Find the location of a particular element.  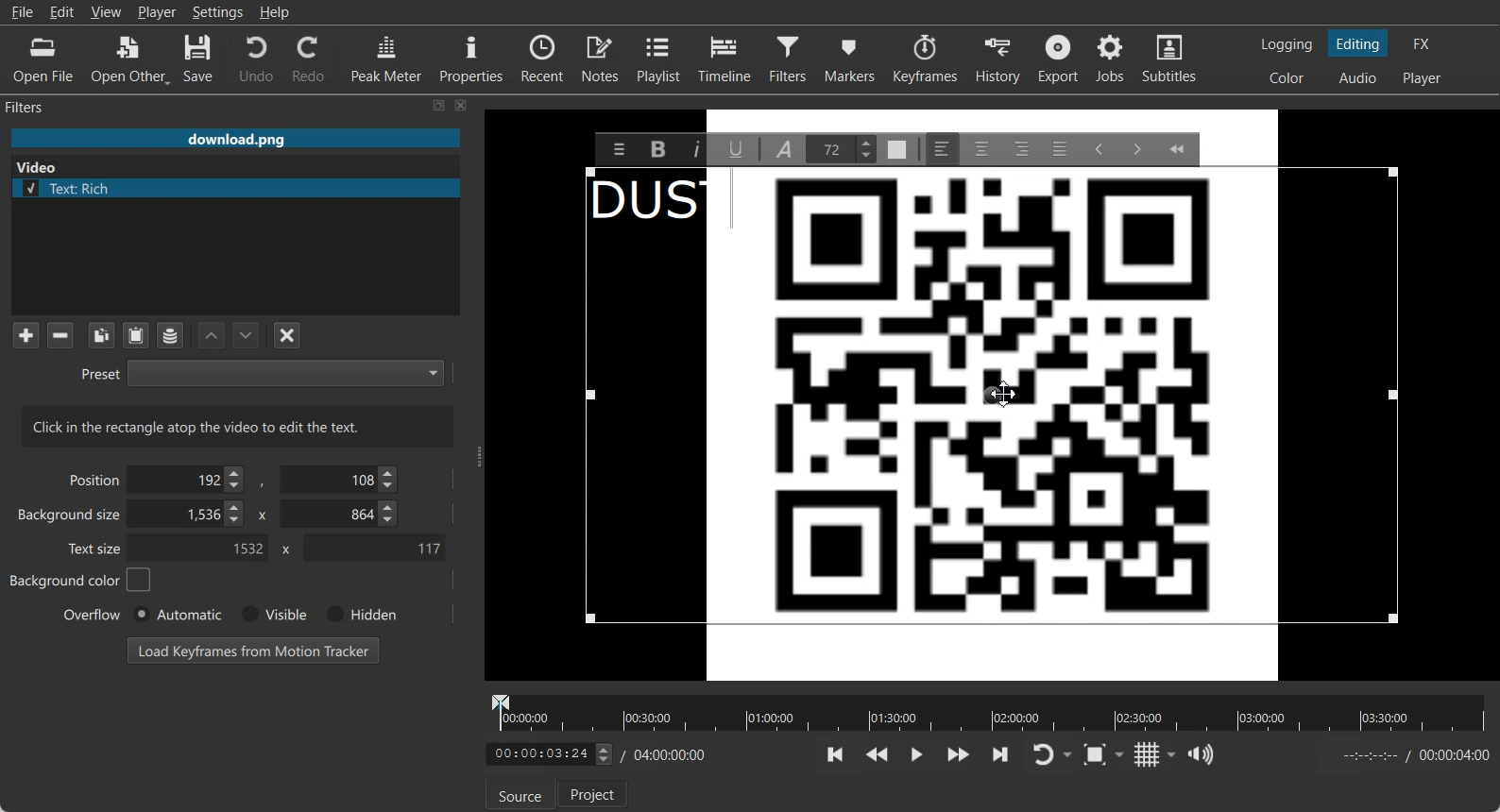

Drop down box is located at coordinates (1069, 755).